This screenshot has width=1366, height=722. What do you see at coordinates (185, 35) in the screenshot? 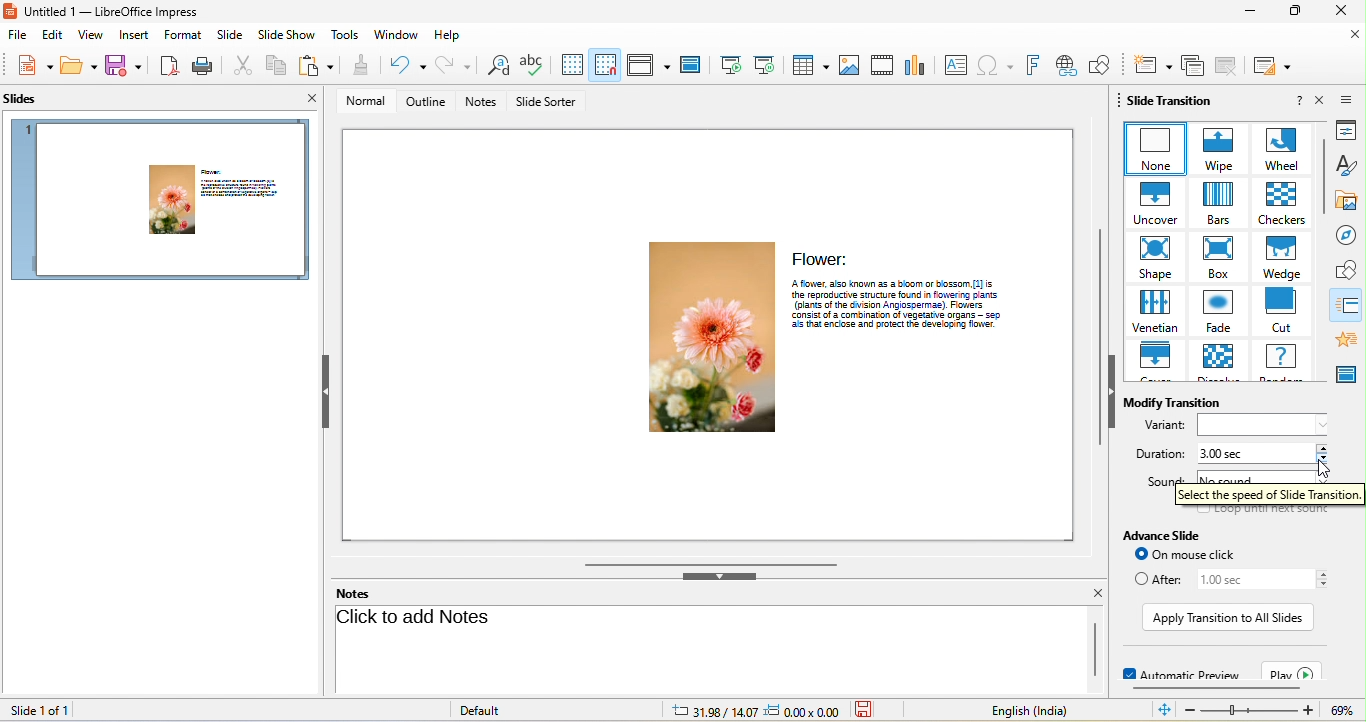
I see `format` at bounding box center [185, 35].